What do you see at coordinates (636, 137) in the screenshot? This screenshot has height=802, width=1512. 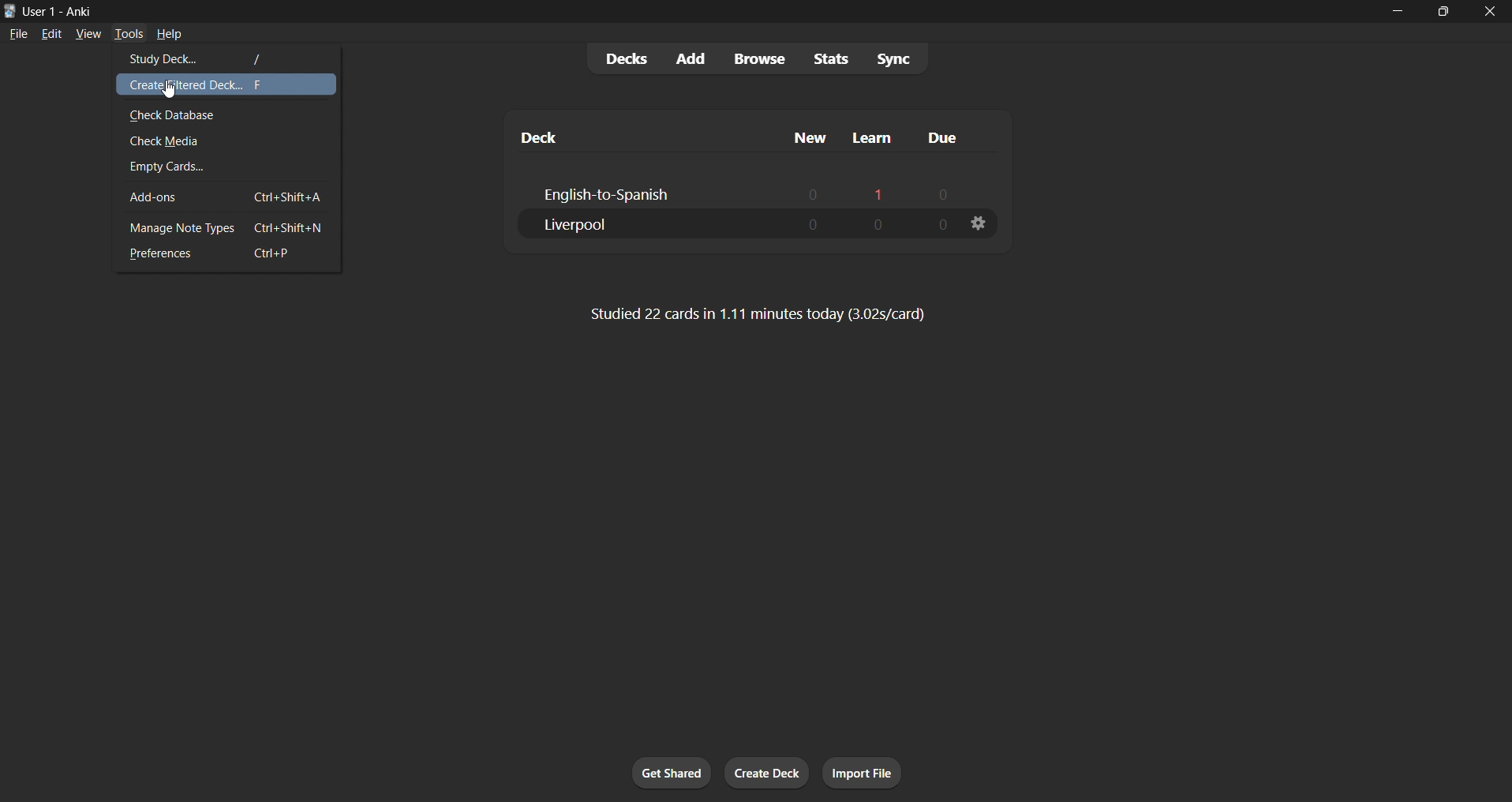 I see `deck column` at bounding box center [636, 137].